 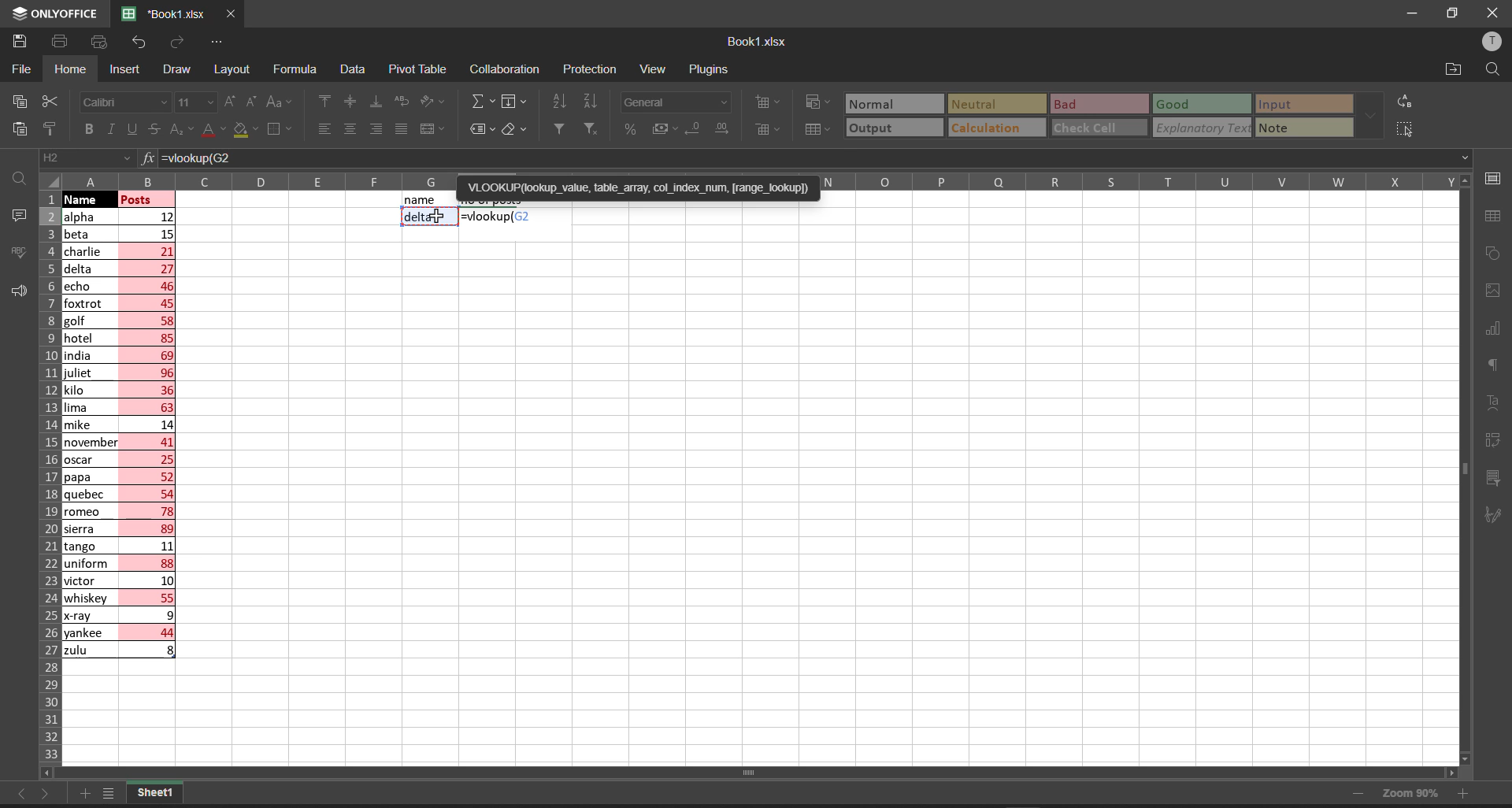 I want to click on paragraph settings, so click(x=1496, y=366).